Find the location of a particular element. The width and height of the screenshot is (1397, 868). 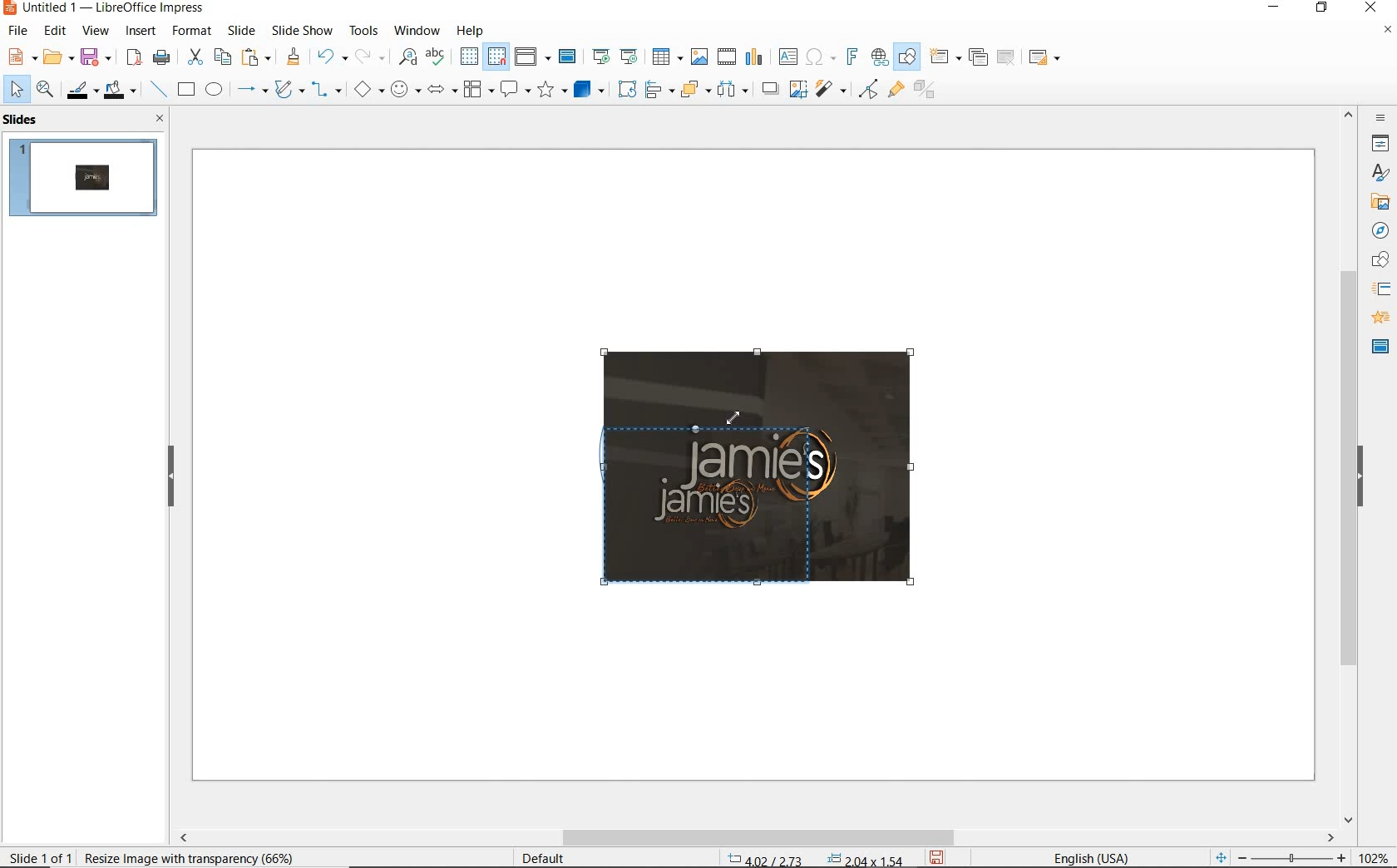

slide show is located at coordinates (301, 30).